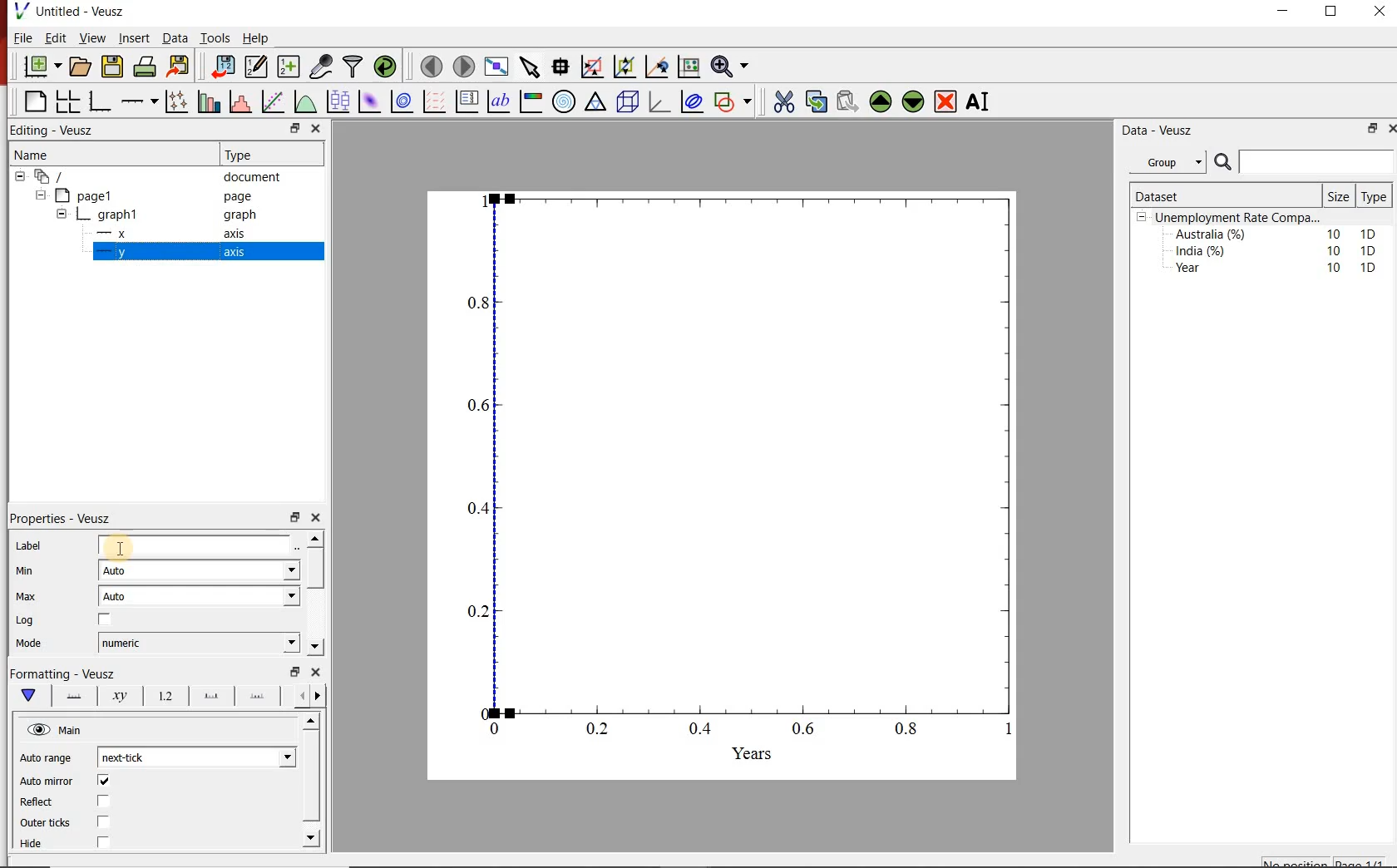  Describe the element at coordinates (106, 801) in the screenshot. I see `checkbox` at that location.